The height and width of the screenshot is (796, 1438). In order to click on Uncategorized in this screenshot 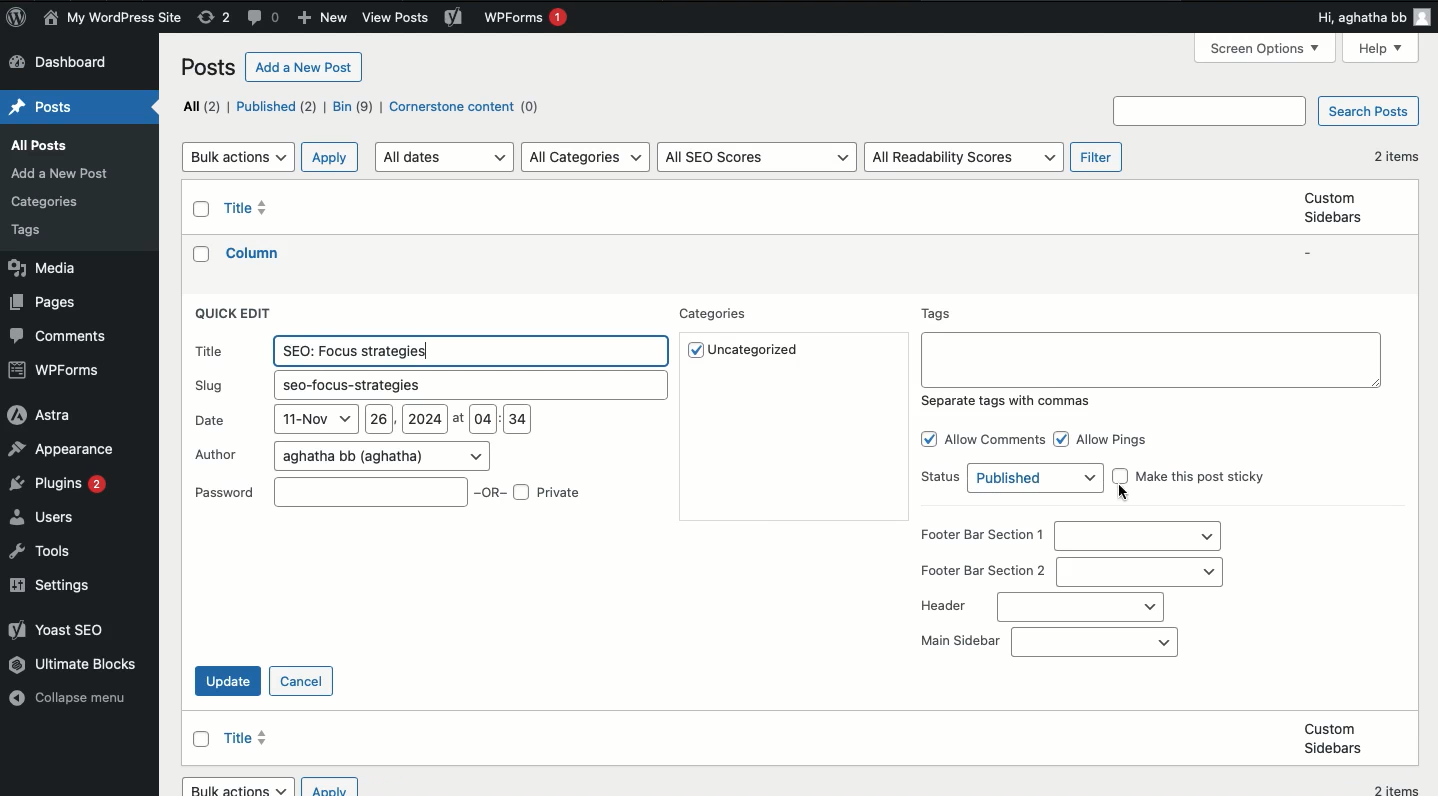, I will do `click(758, 350)`.